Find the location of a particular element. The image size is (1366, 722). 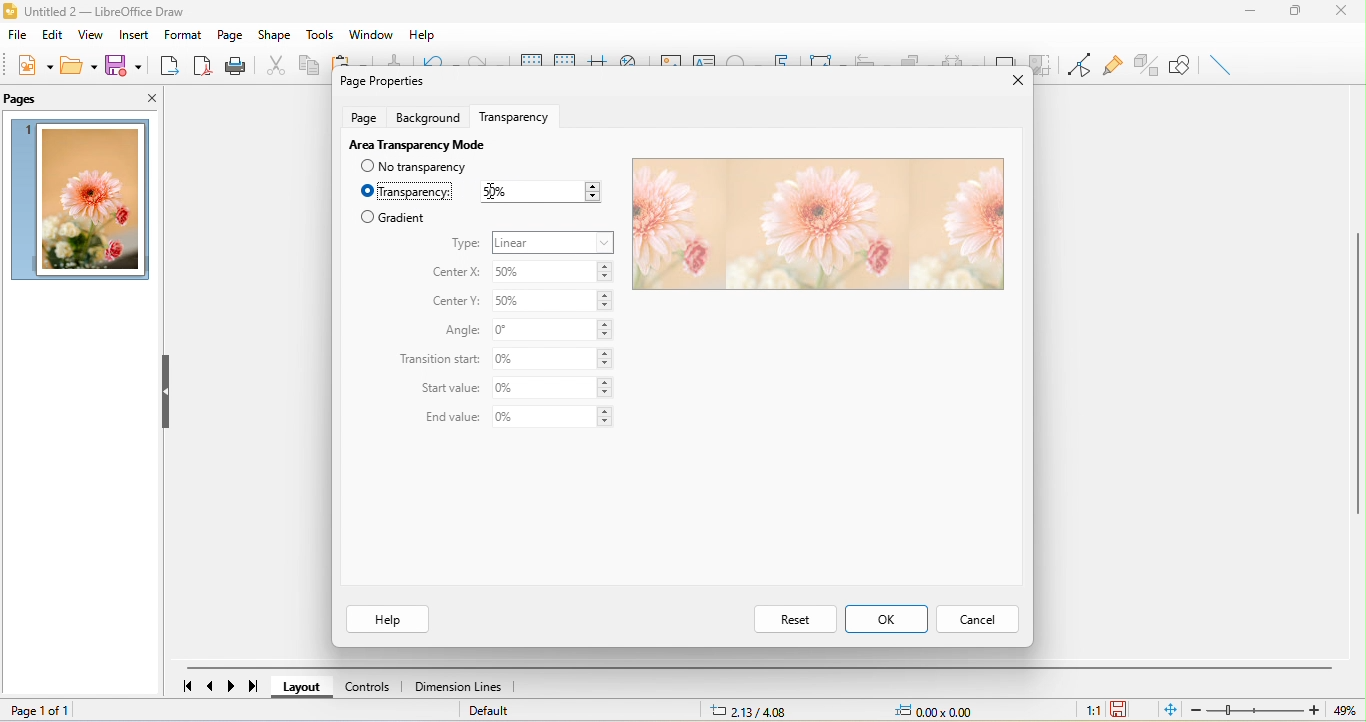

open is located at coordinates (77, 65).